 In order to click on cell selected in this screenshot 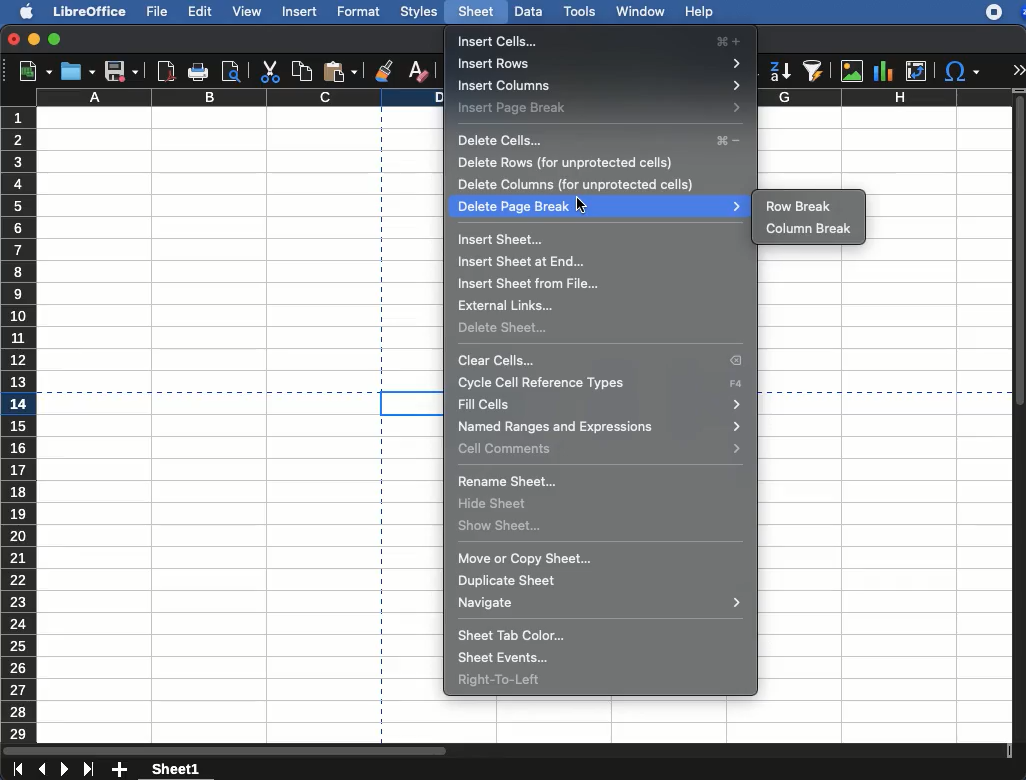, I will do `click(410, 403)`.